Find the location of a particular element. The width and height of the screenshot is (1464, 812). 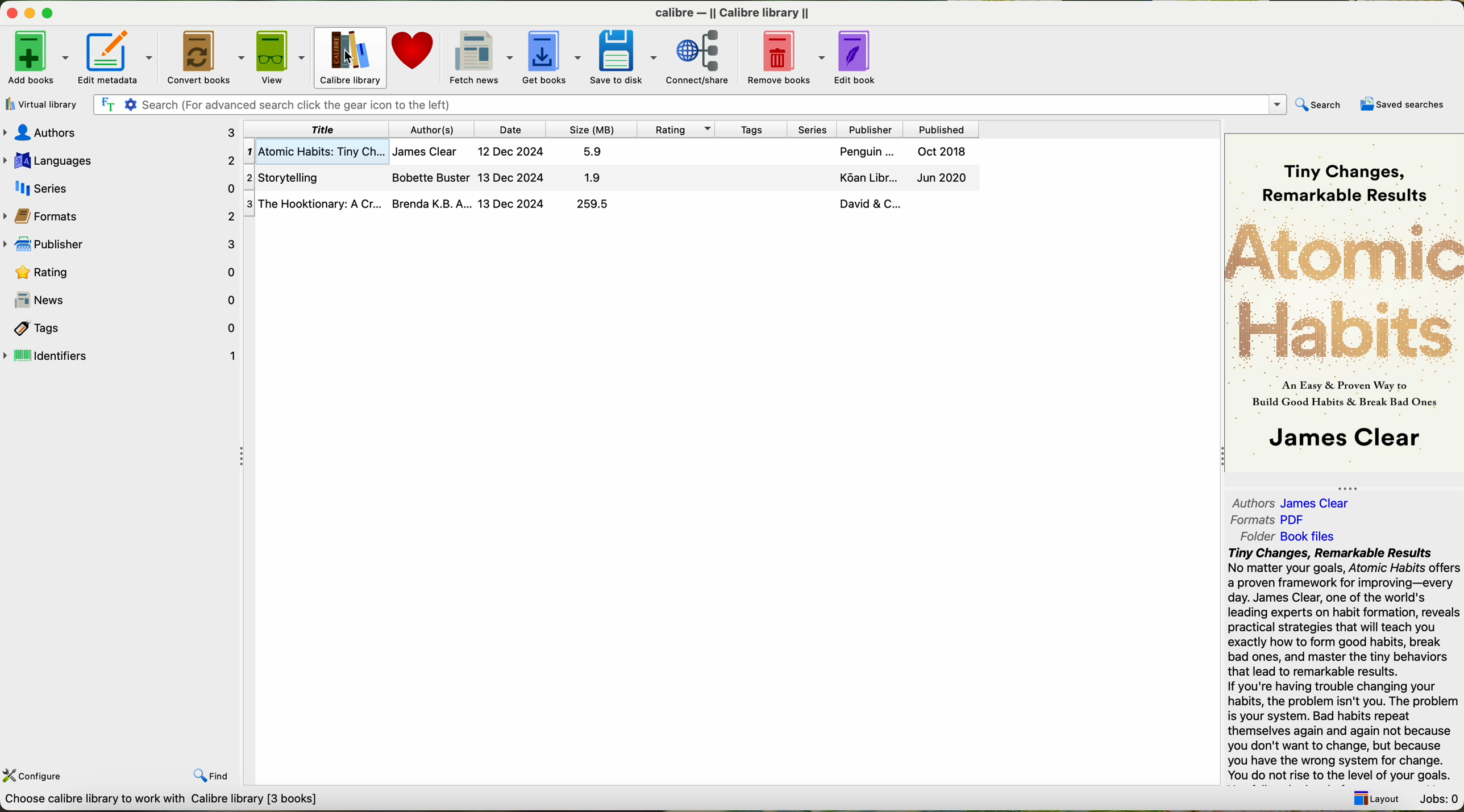

calibre — || Calibre library || is located at coordinates (735, 12).